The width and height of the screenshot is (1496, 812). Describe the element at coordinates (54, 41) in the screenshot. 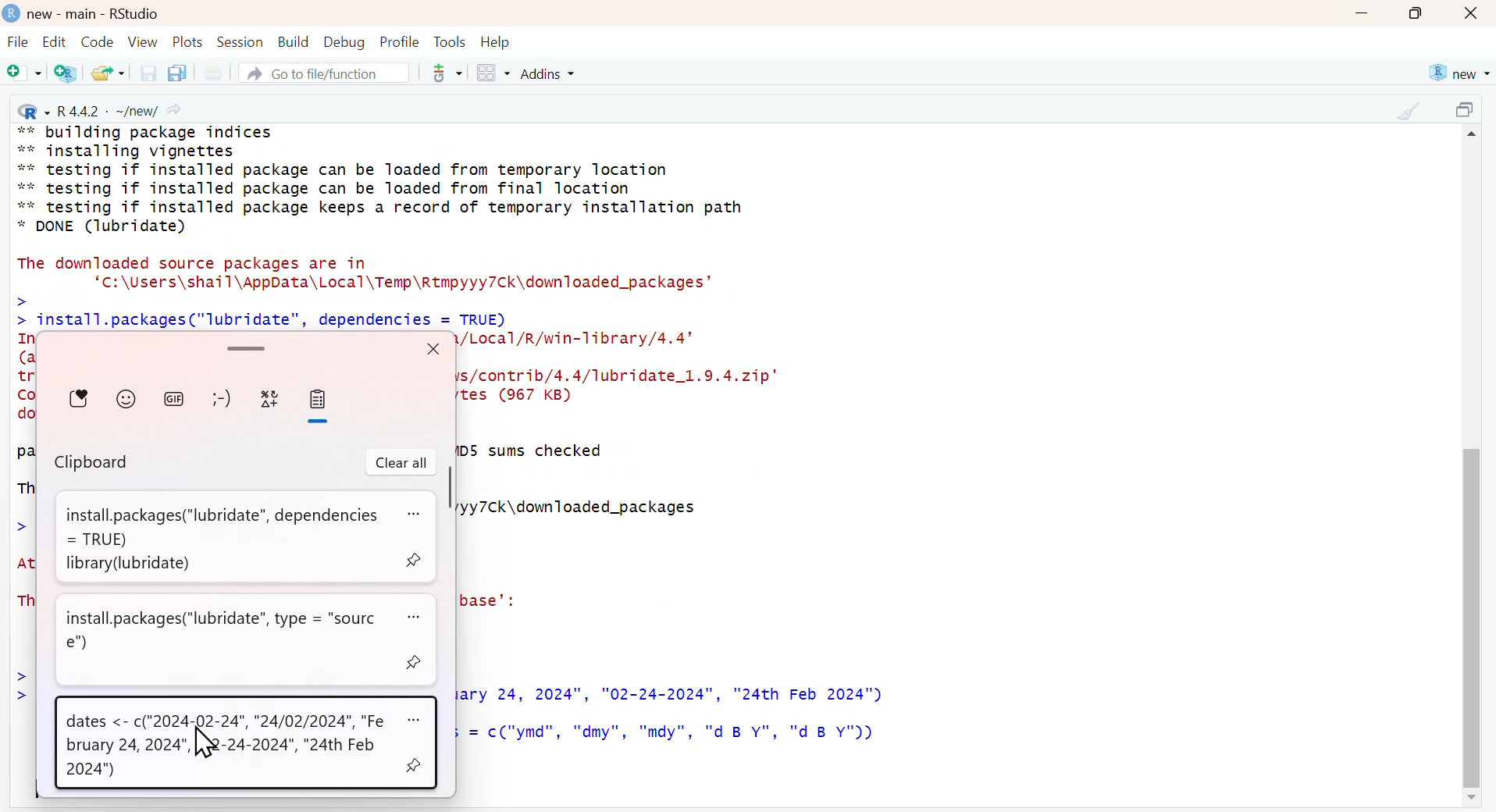

I see `Edit` at that location.